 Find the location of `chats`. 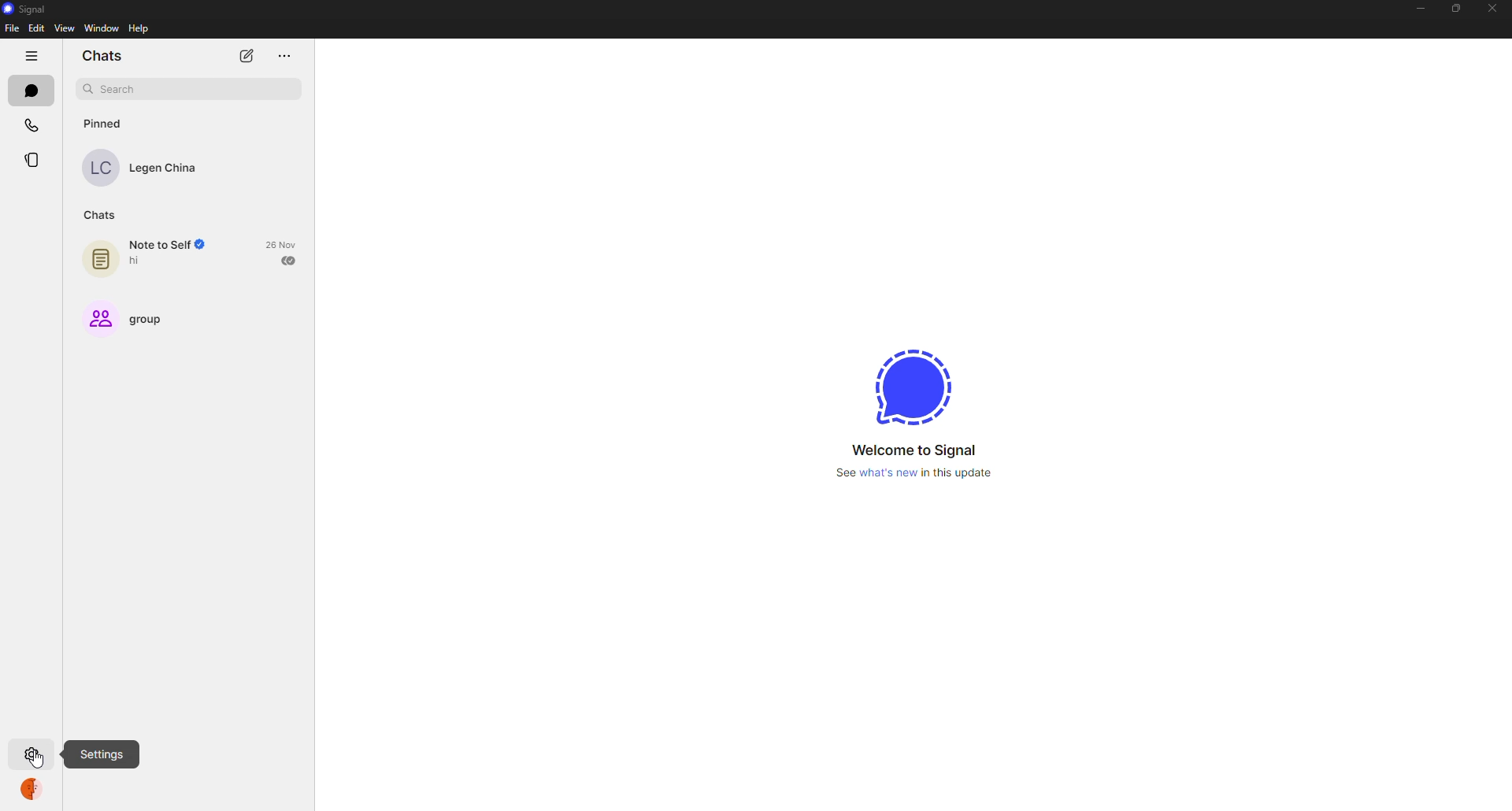

chats is located at coordinates (102, 56).